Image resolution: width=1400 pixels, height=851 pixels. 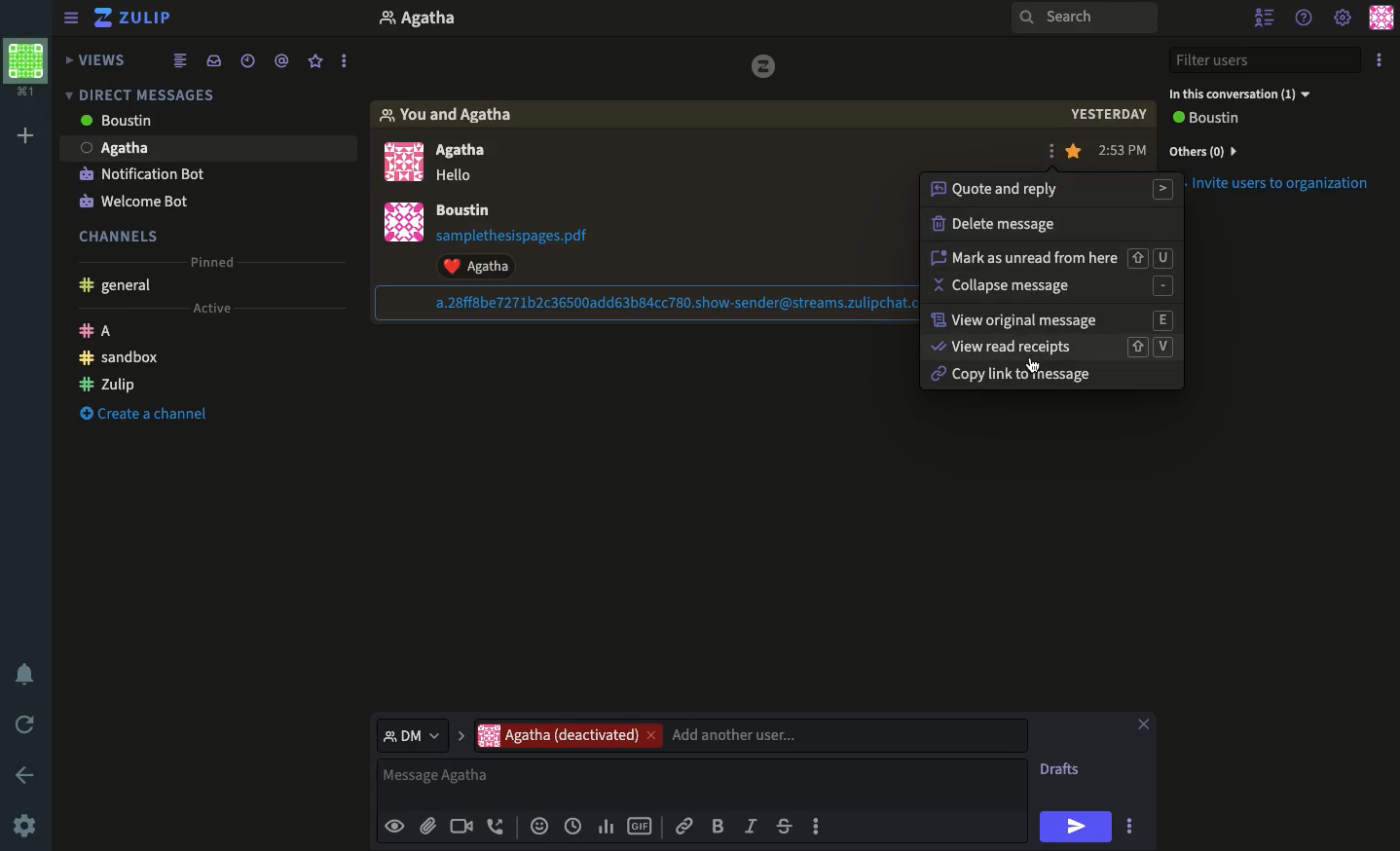 I want to click on Reaction, so click(x=537, y=828).